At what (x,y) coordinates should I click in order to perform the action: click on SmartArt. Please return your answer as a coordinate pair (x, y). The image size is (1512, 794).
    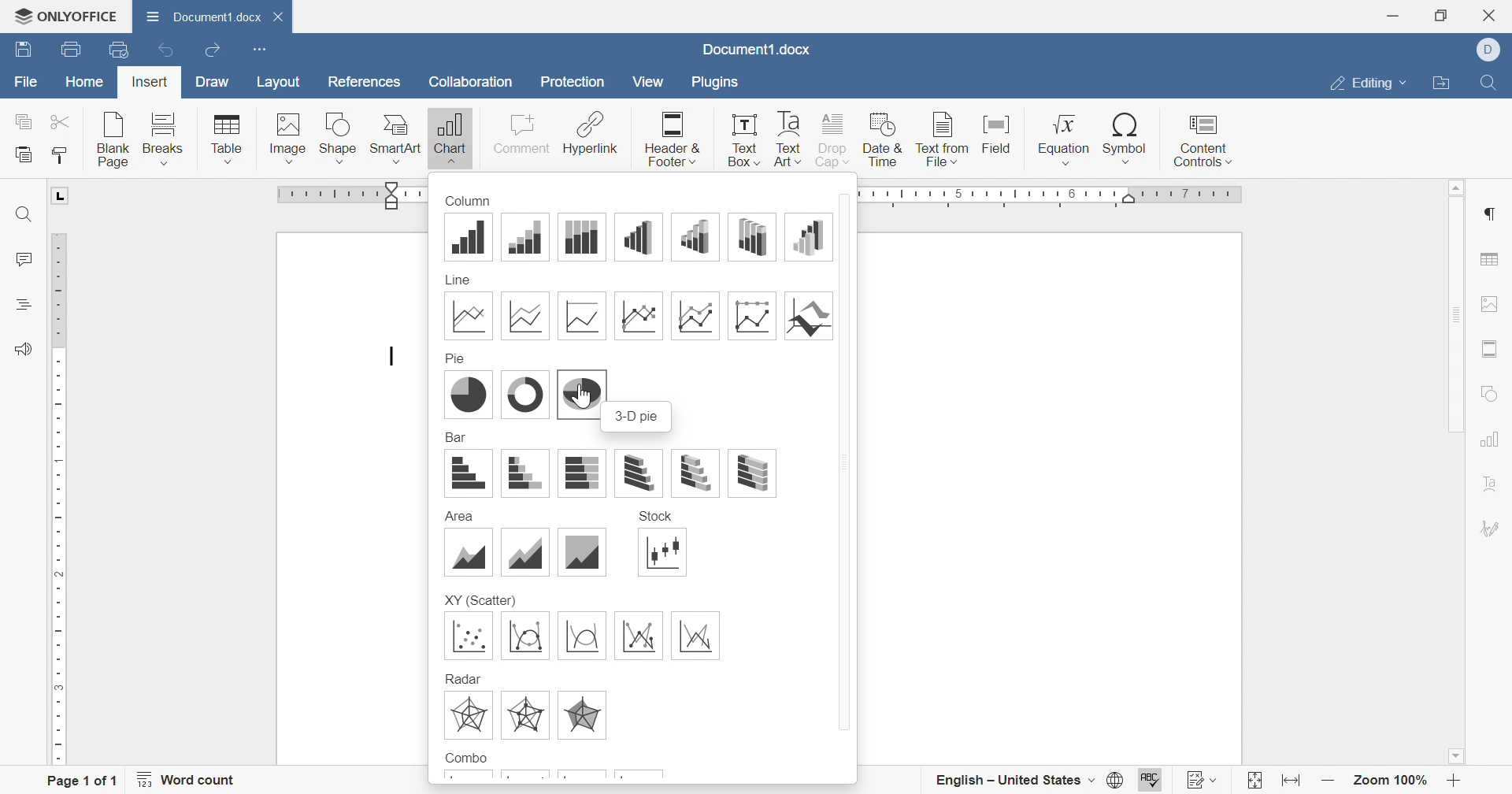
    Looking at the image, I should click on (397, 137).